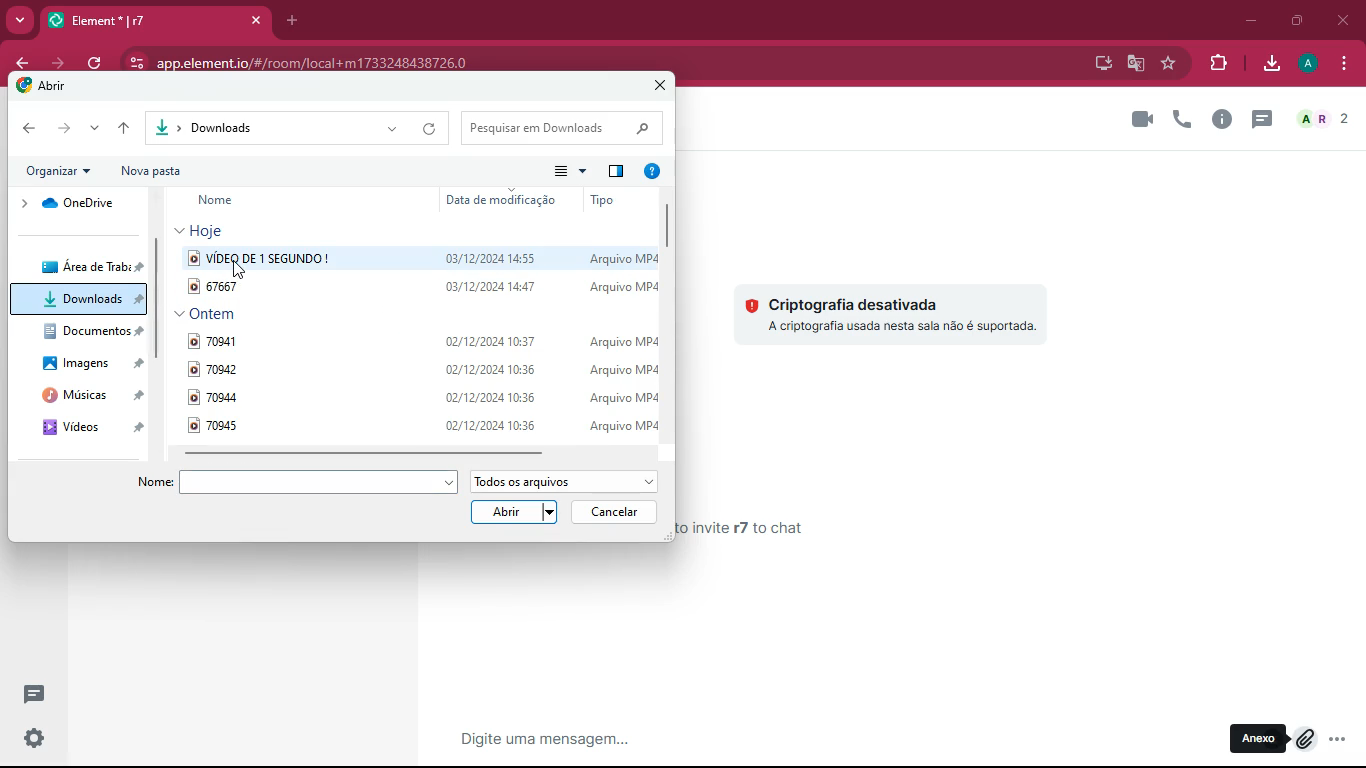  Describe the element at coordinates (659, 172) in the screenshot. I see `help` at that location.